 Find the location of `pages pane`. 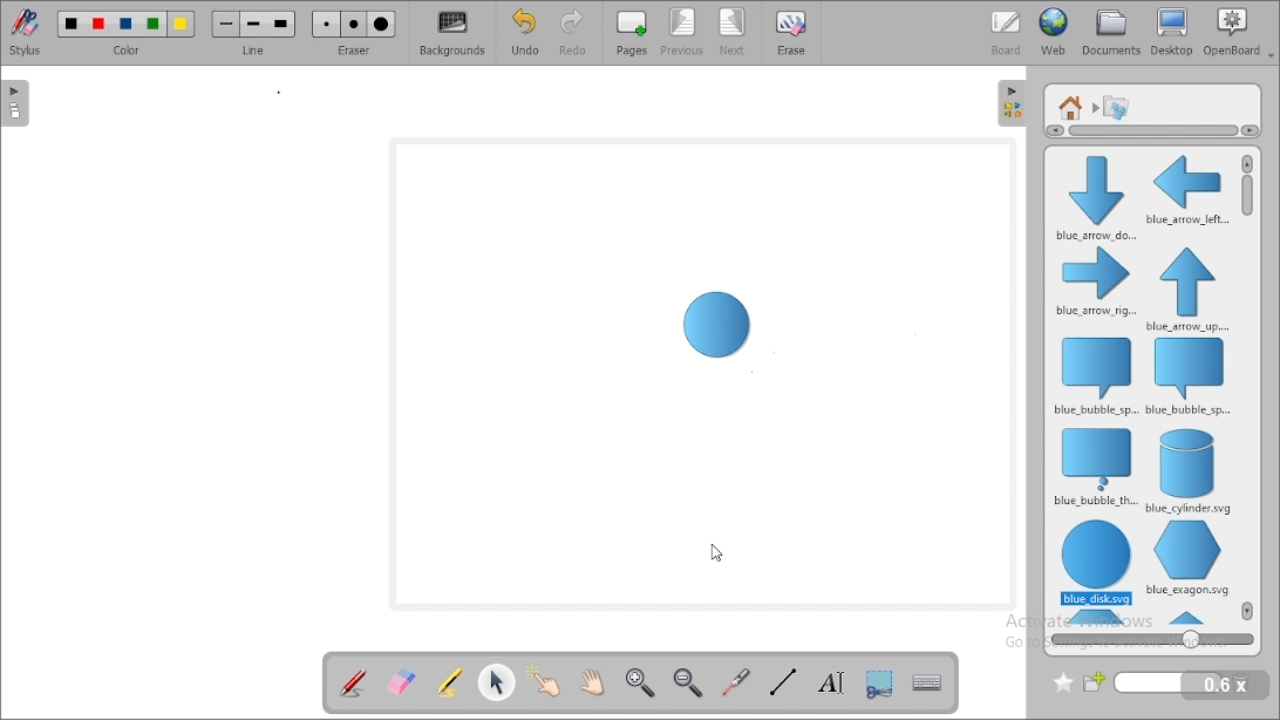

pages pane is located at coordinates (18, 103).